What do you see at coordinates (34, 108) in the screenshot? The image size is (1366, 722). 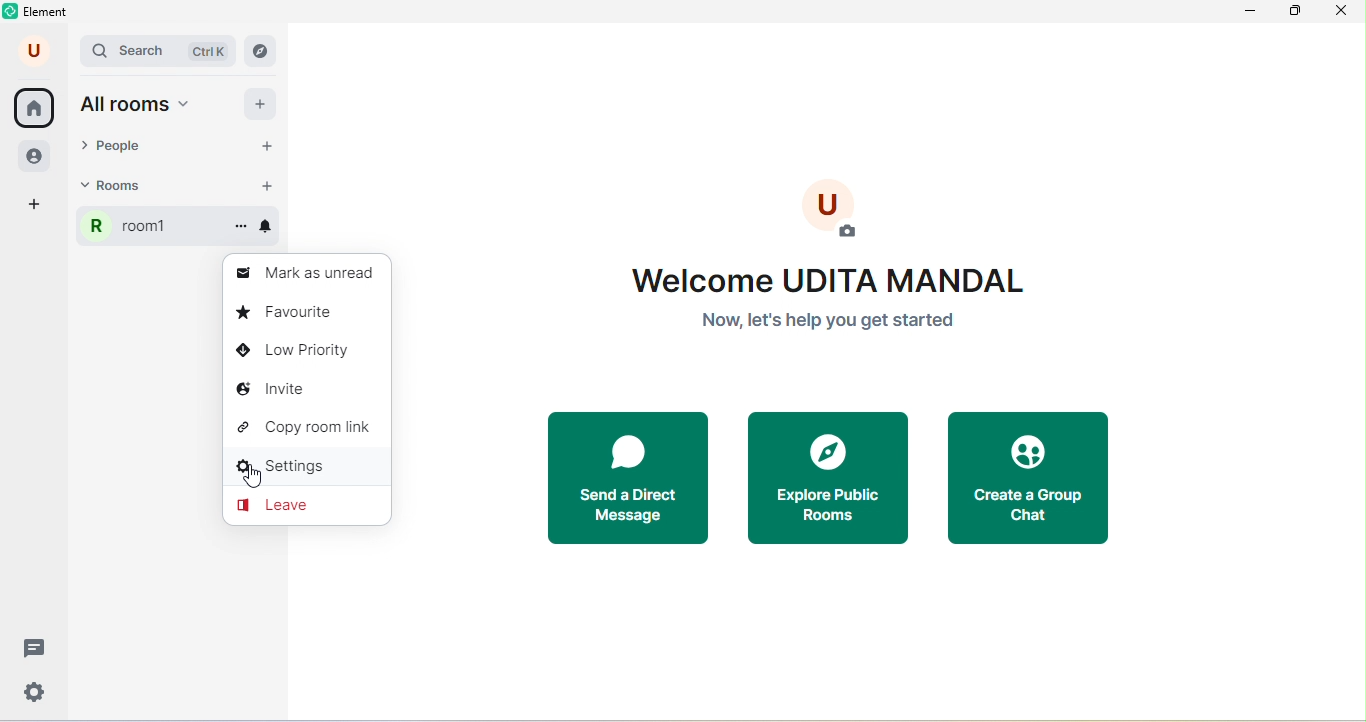 I see `home` at bounding box center [34, 108].